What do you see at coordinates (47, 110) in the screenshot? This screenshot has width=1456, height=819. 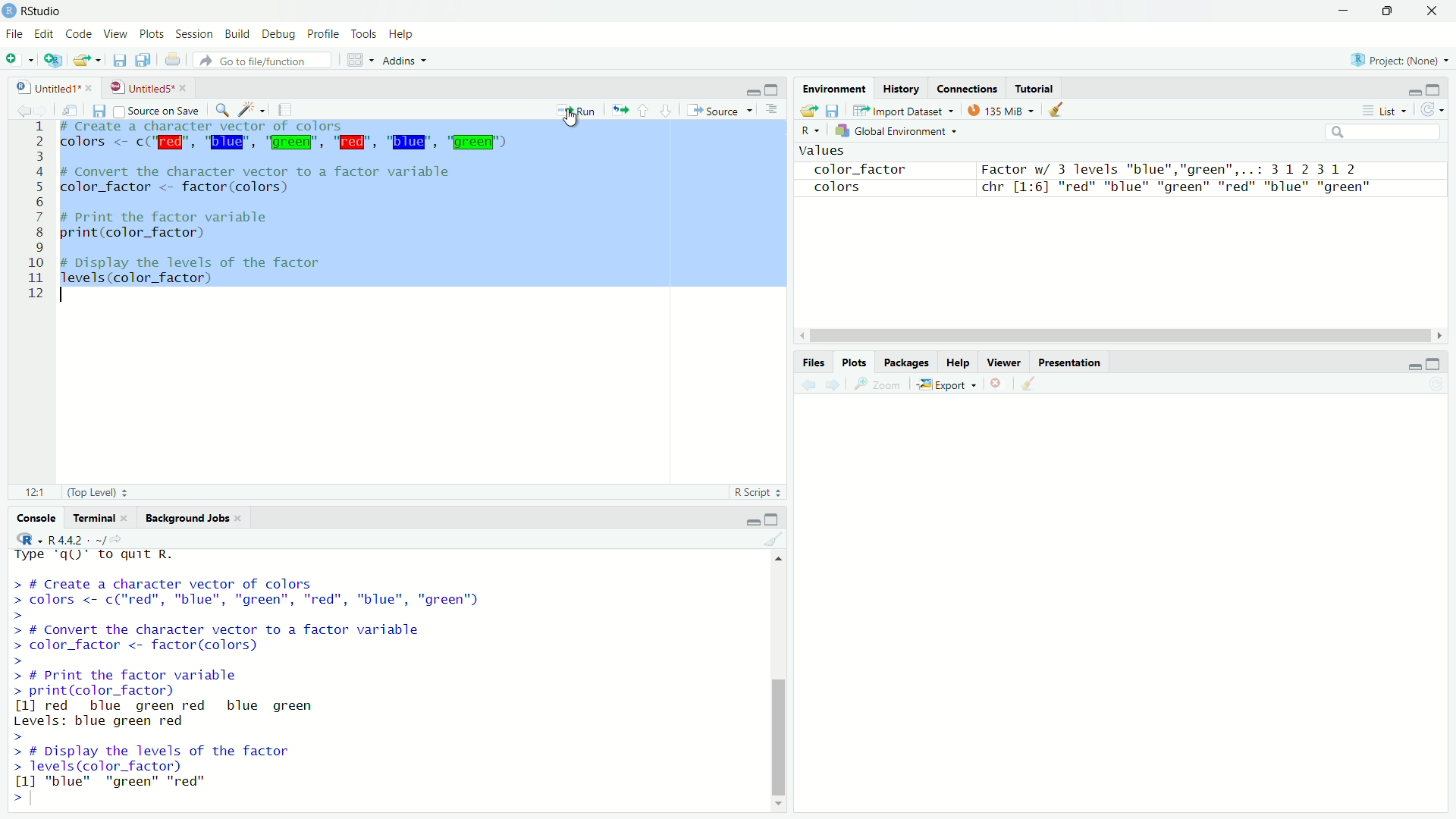 I see `go forward to the next source location` at bounding box center [47, 110].